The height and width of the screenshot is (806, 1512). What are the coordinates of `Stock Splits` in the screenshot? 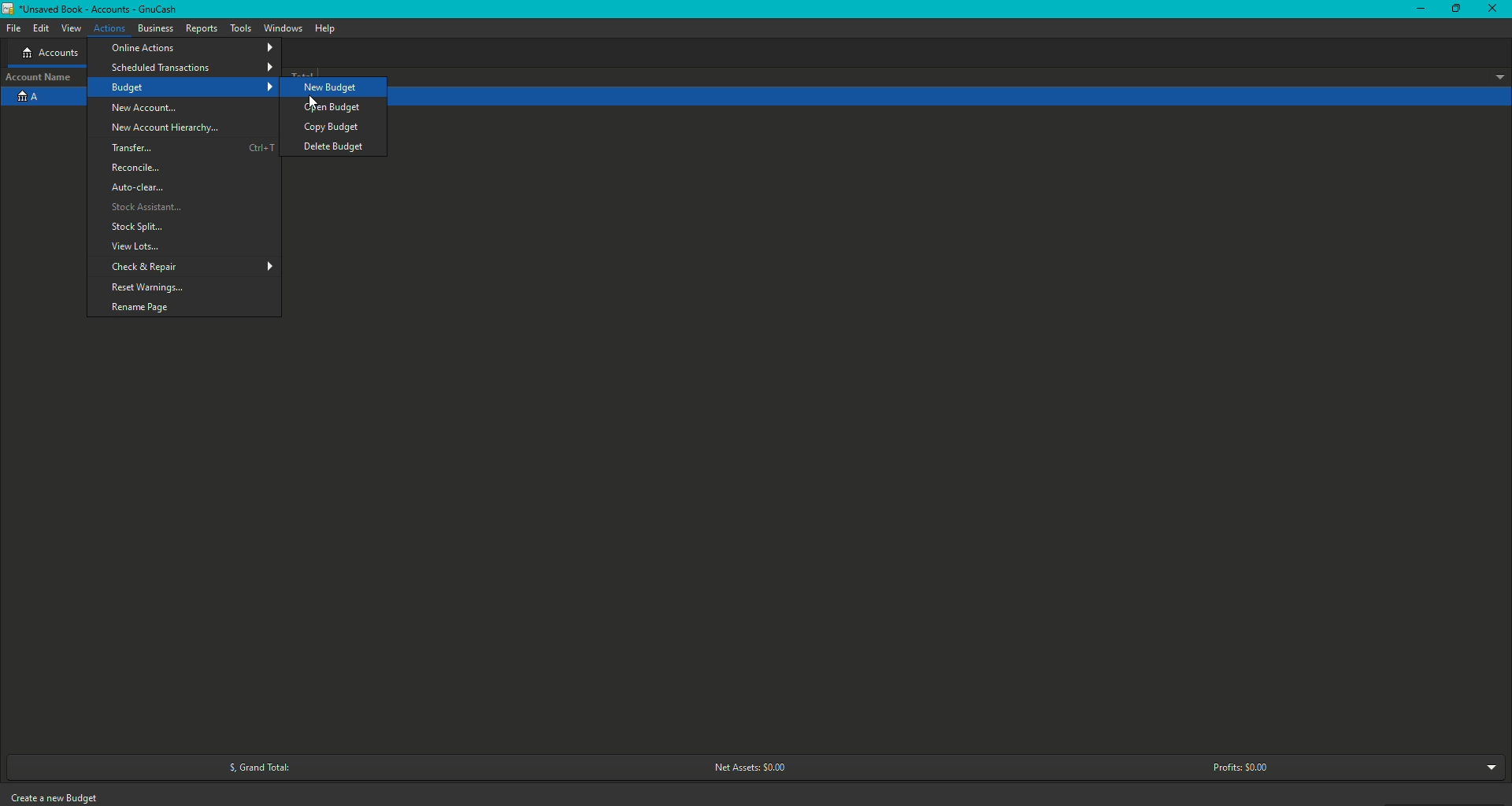 It's located at (136, 227).